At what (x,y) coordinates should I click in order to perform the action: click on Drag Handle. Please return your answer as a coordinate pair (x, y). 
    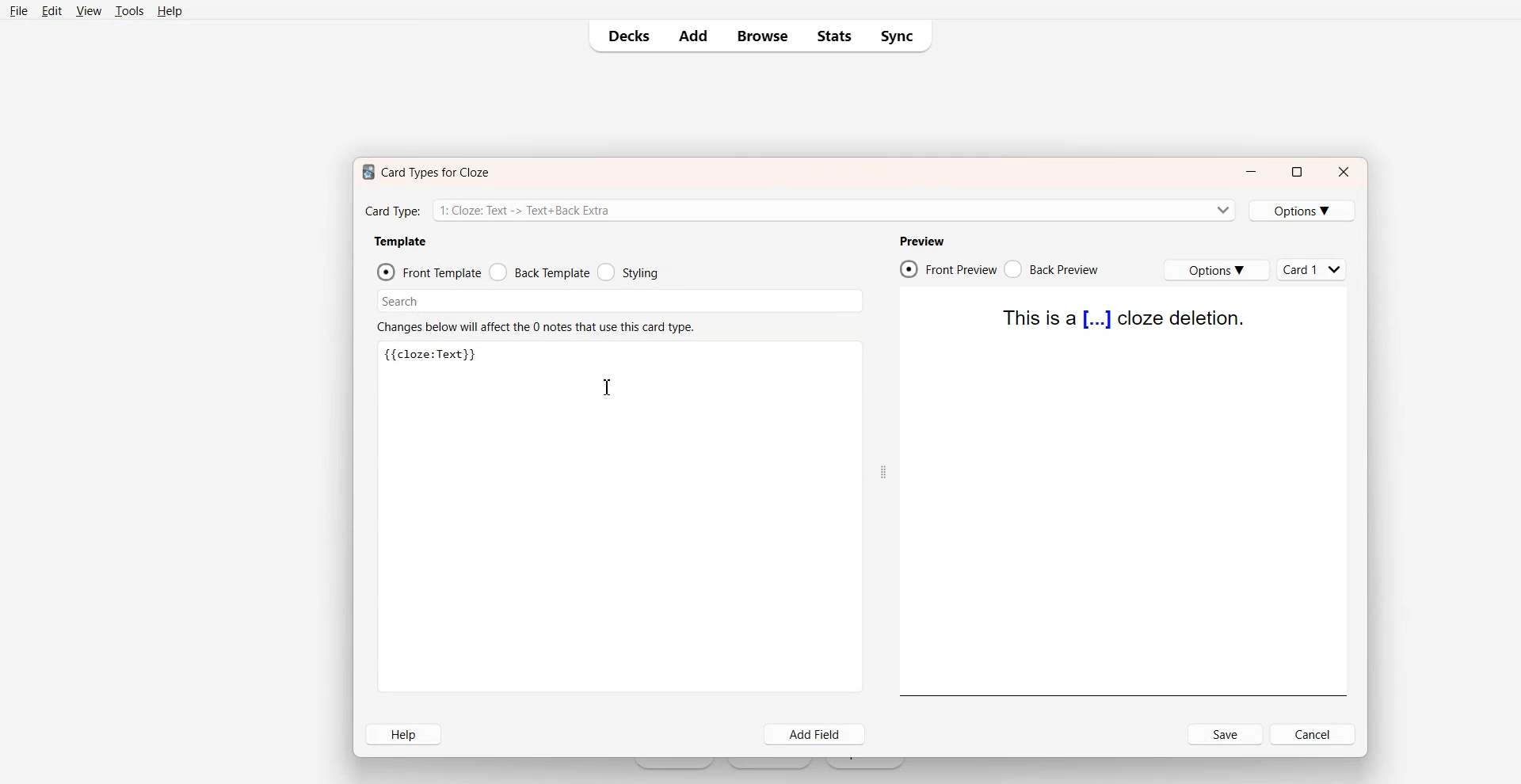
    Looking at the image, I should click on (882, 471).